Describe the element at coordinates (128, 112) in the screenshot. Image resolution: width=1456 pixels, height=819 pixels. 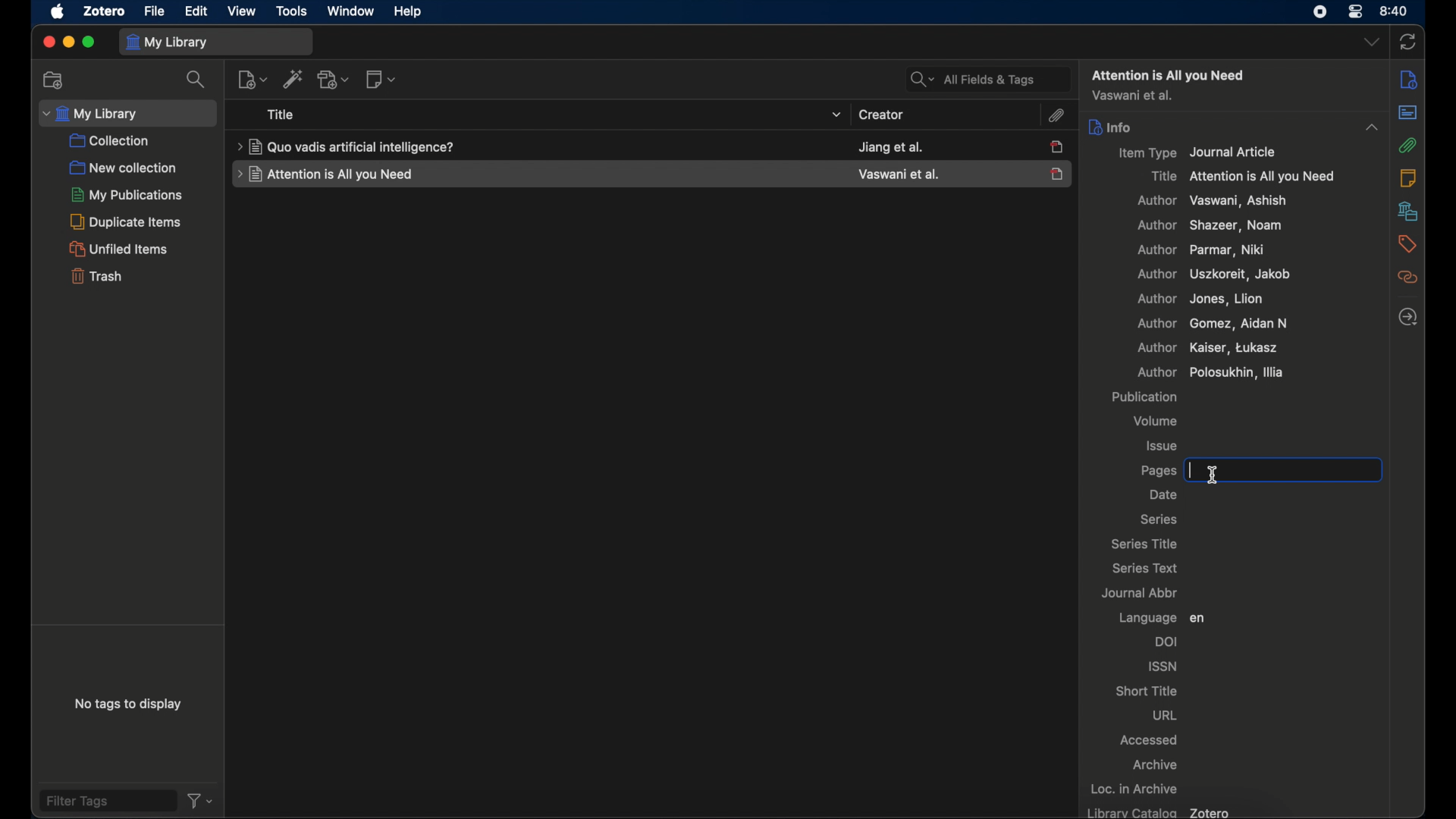
I see `my library dropdown menu` at that location.